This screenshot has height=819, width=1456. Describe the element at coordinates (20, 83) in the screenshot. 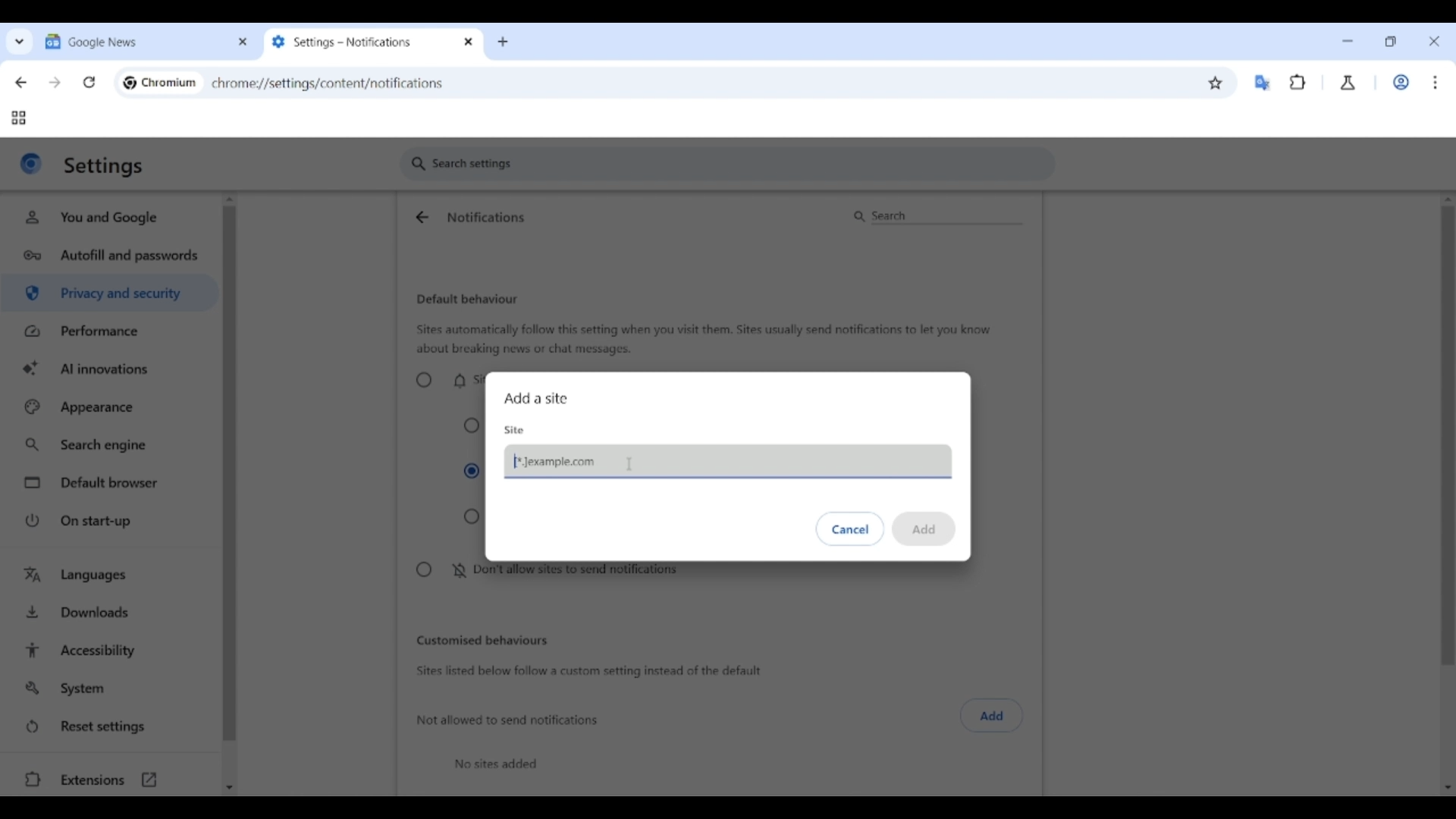

I see `Go back` at that location.